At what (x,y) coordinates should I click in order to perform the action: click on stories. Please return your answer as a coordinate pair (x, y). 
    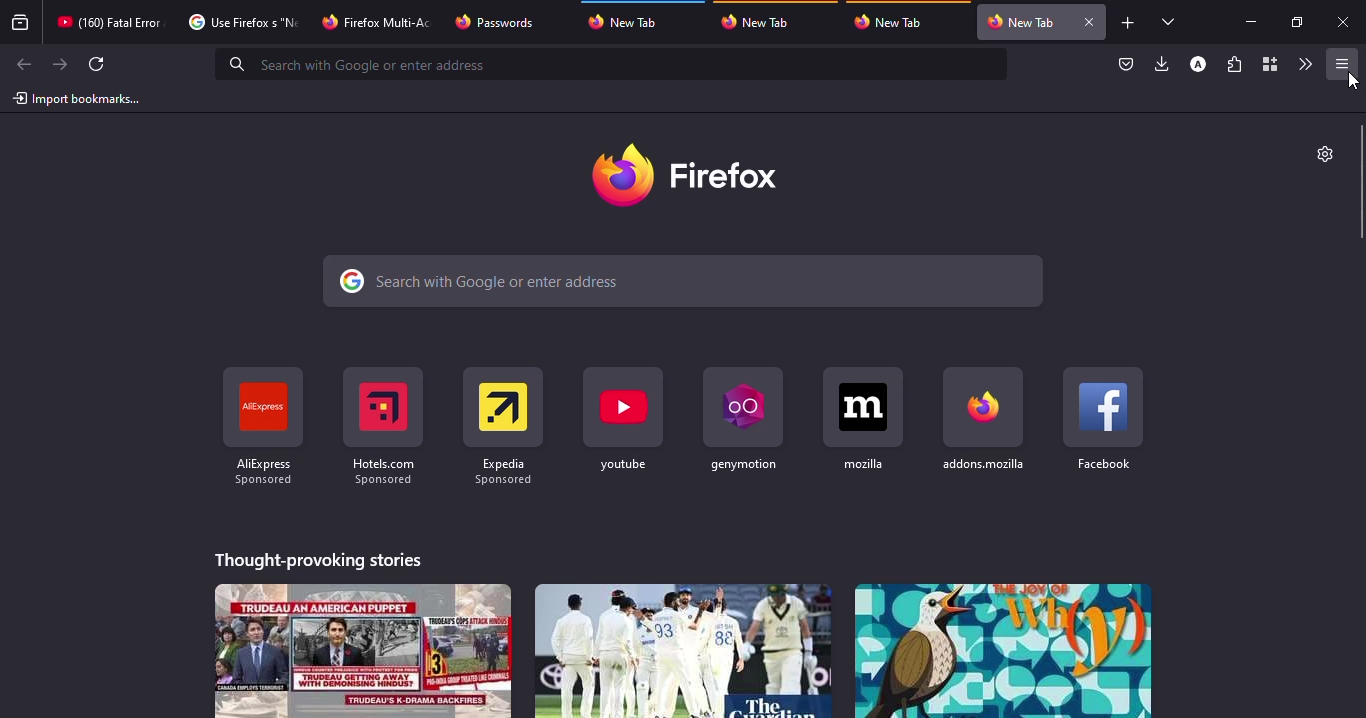
    Looking at the image, I should click on (1002, 650).